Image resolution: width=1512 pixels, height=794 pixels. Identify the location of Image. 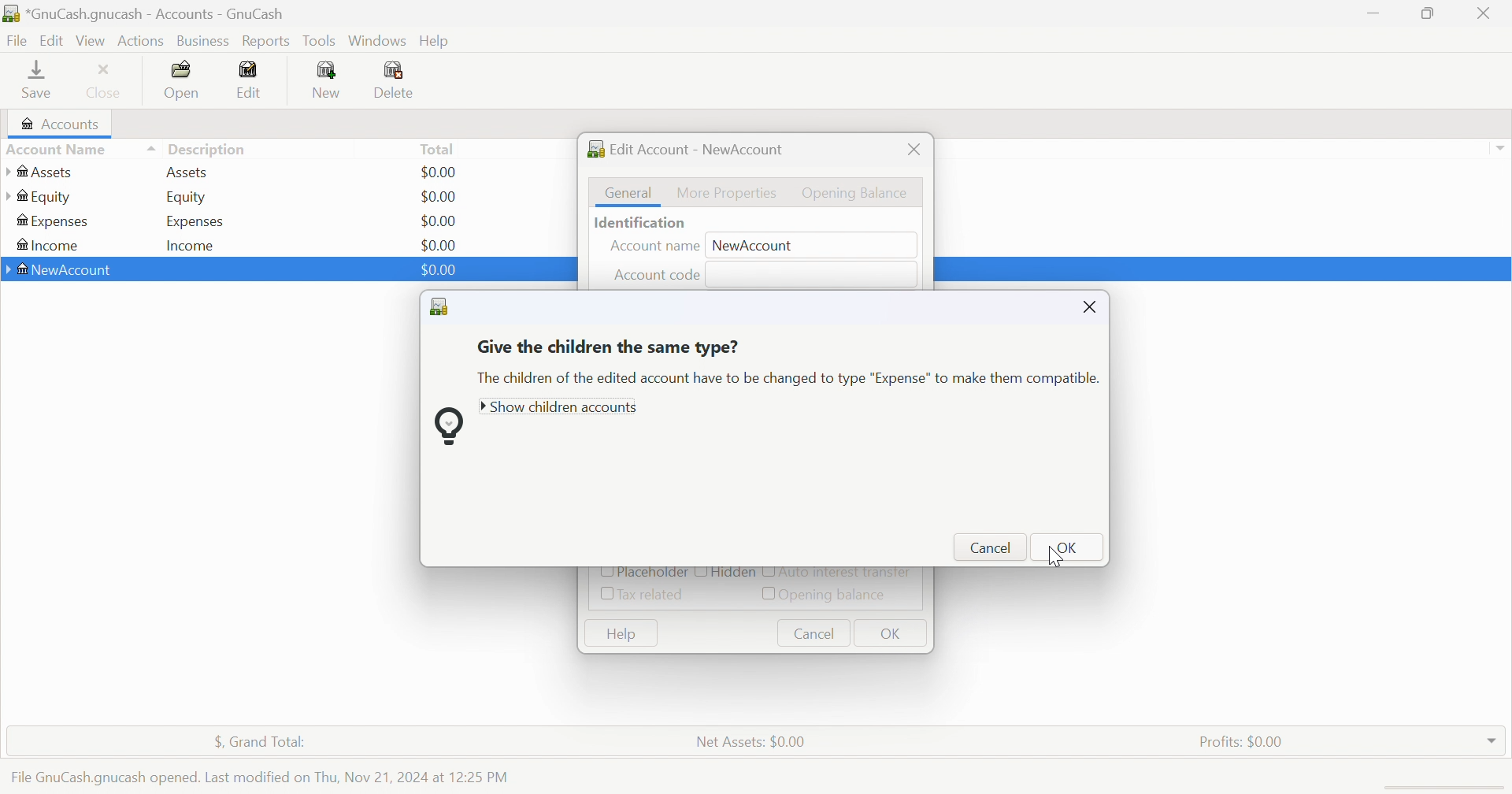
(447, 428).